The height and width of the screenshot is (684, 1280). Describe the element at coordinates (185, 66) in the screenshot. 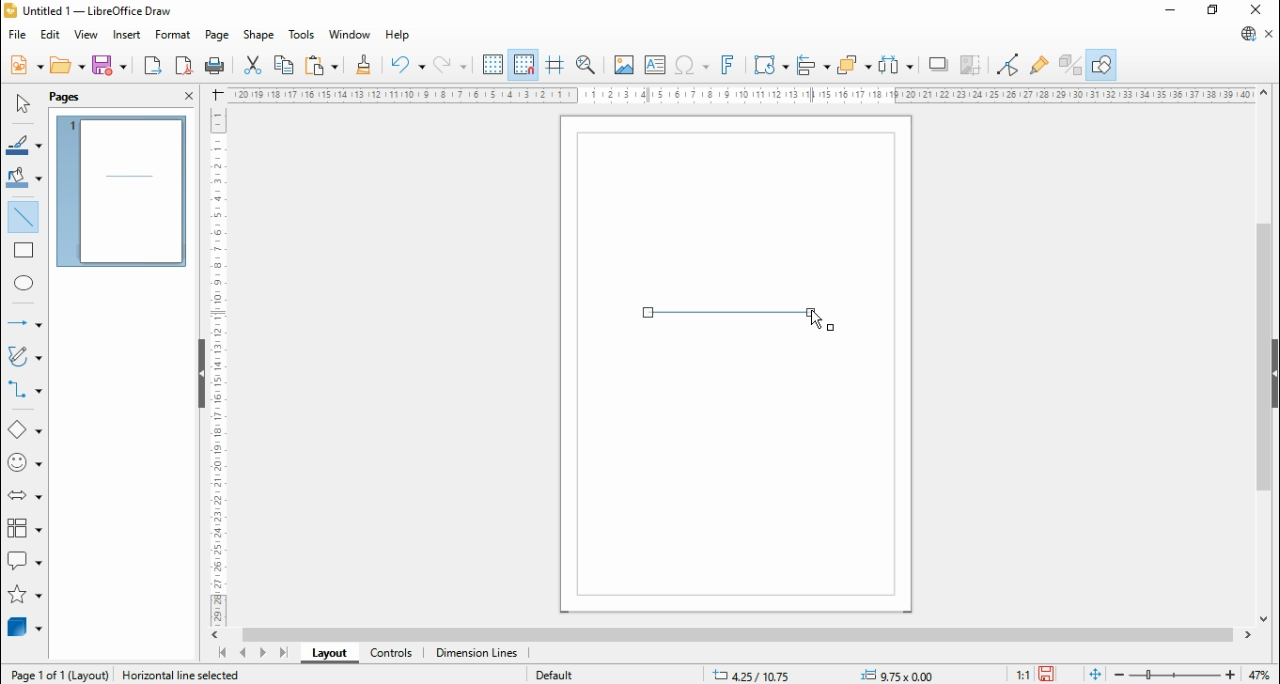

I see `export as pdf` at that location.